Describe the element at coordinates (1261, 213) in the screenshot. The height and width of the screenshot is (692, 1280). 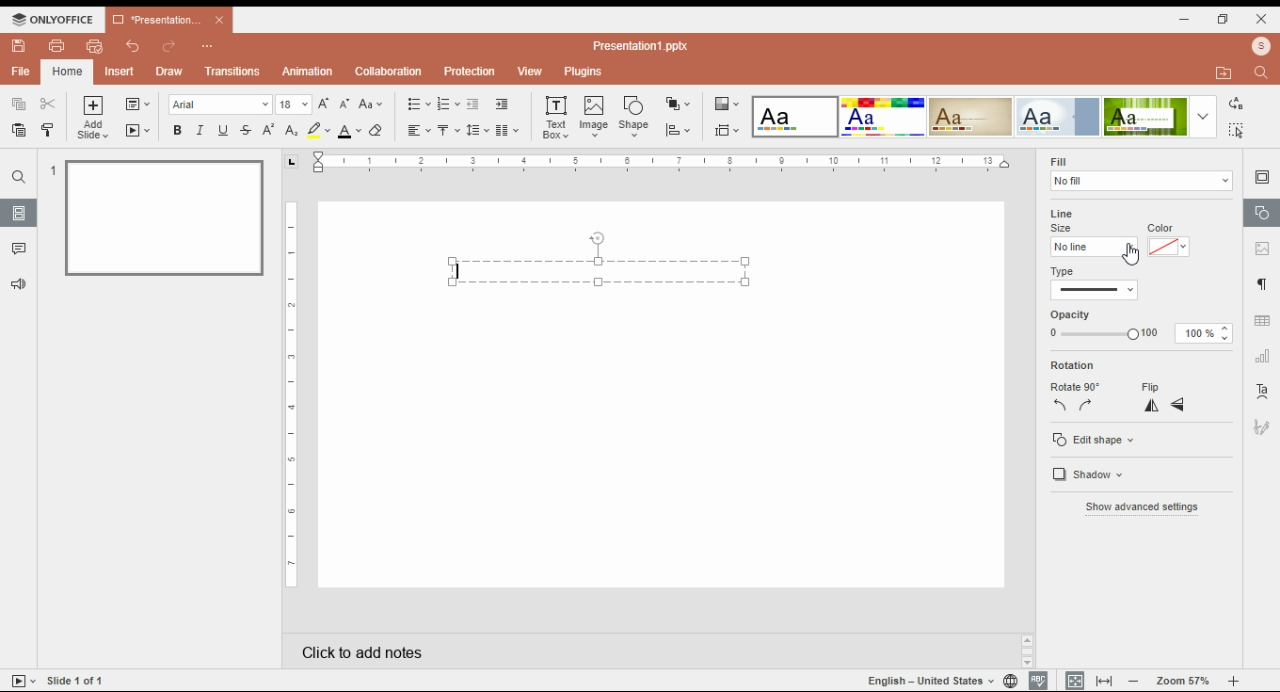
I see `shape settings` at that location.